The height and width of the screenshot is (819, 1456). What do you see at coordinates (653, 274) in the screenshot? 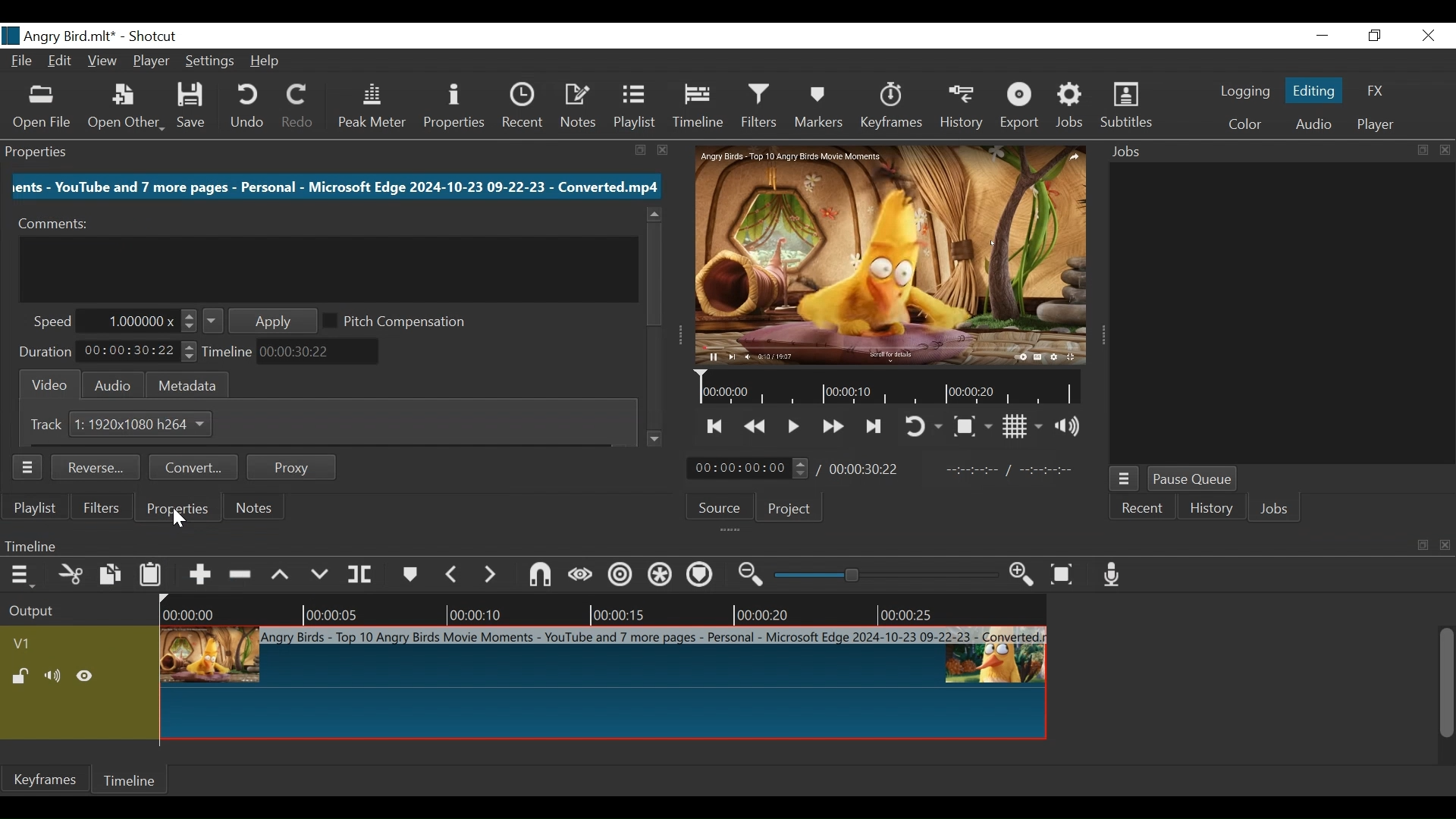
I see `Vertical Scroll bar` at bounding box center [653, 274].